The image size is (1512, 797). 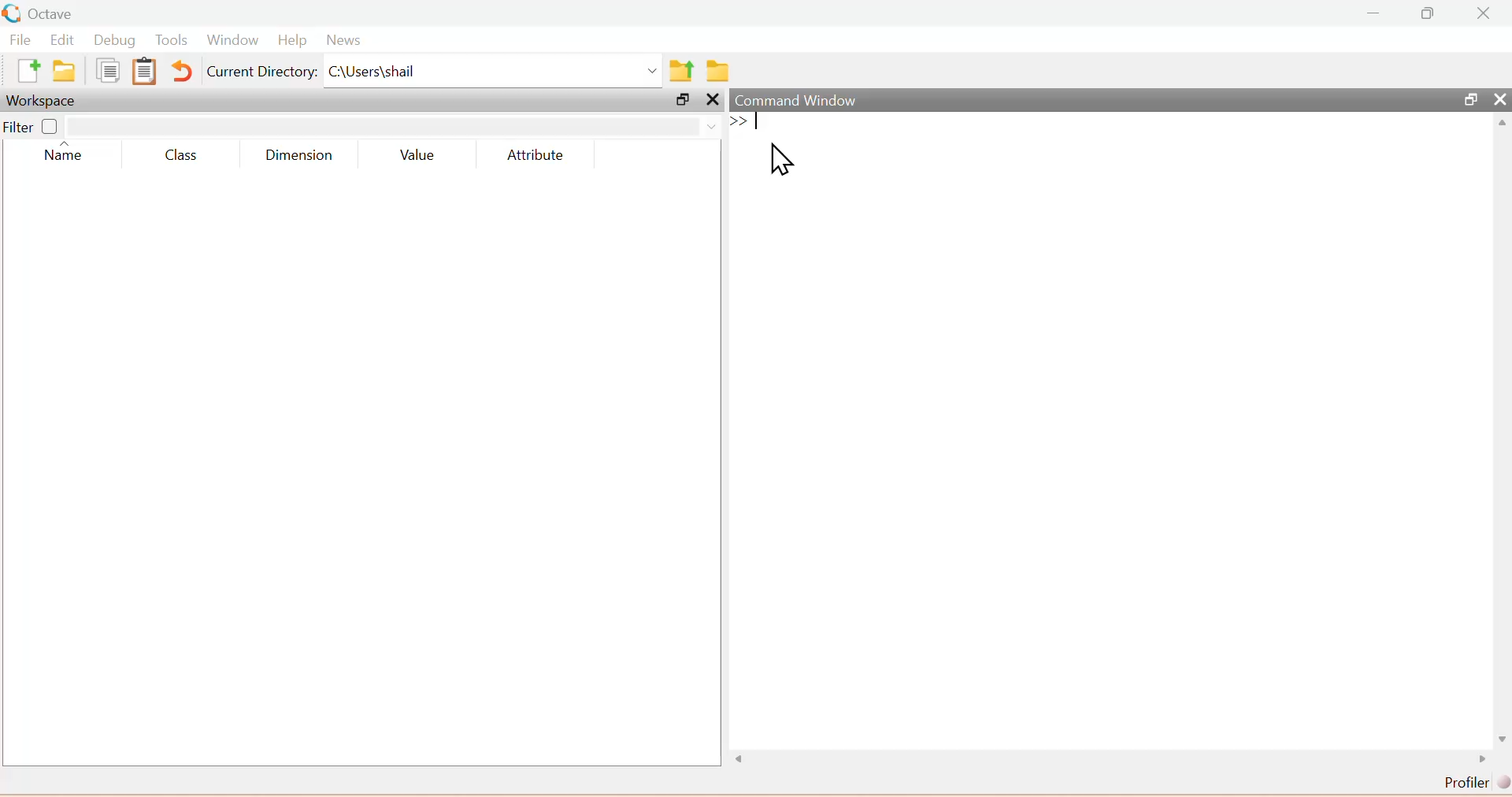 I want to click on Current Directory:, so click(x=262, y=74).